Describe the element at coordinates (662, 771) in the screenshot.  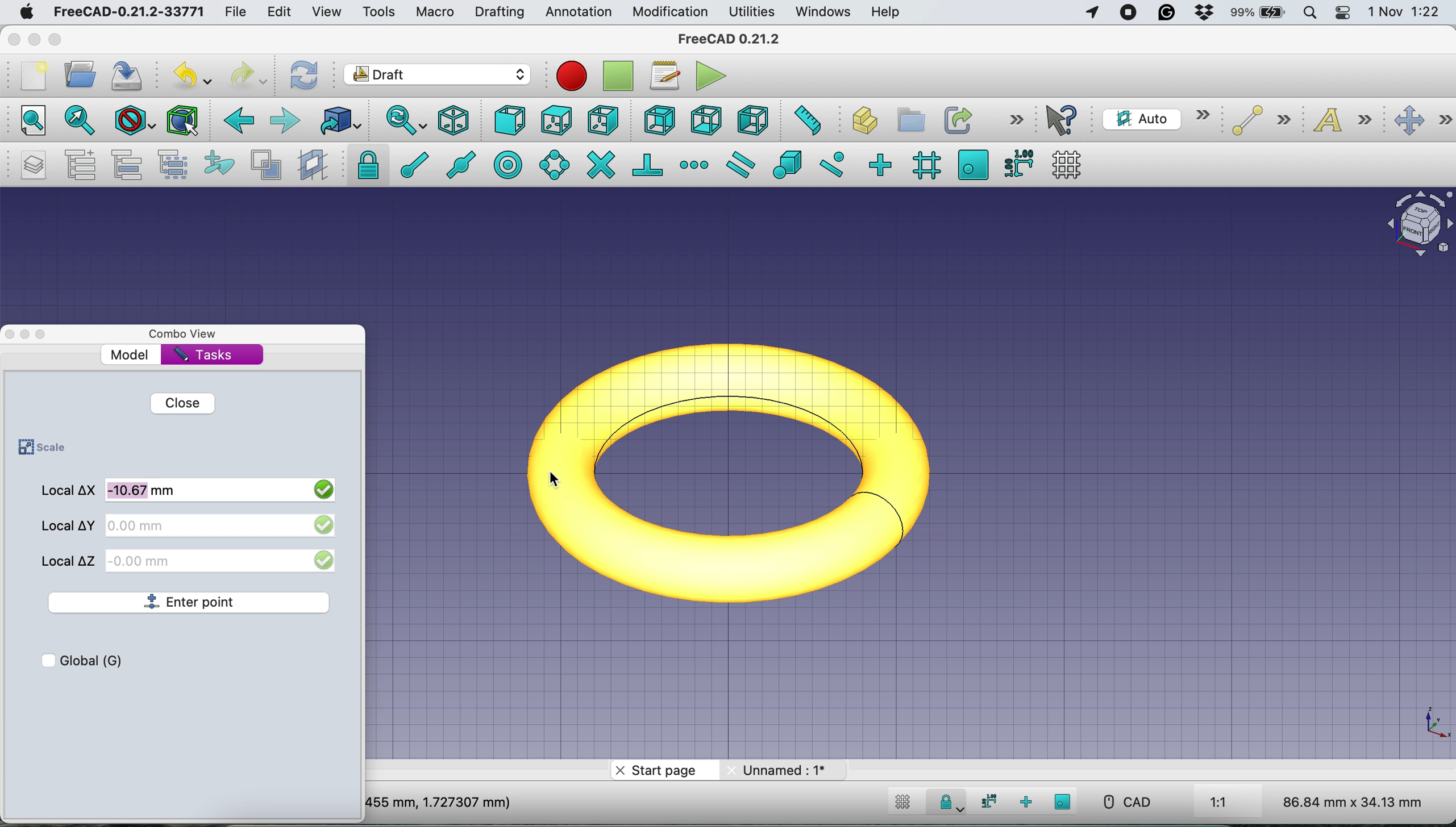
I see `start page` at that location.